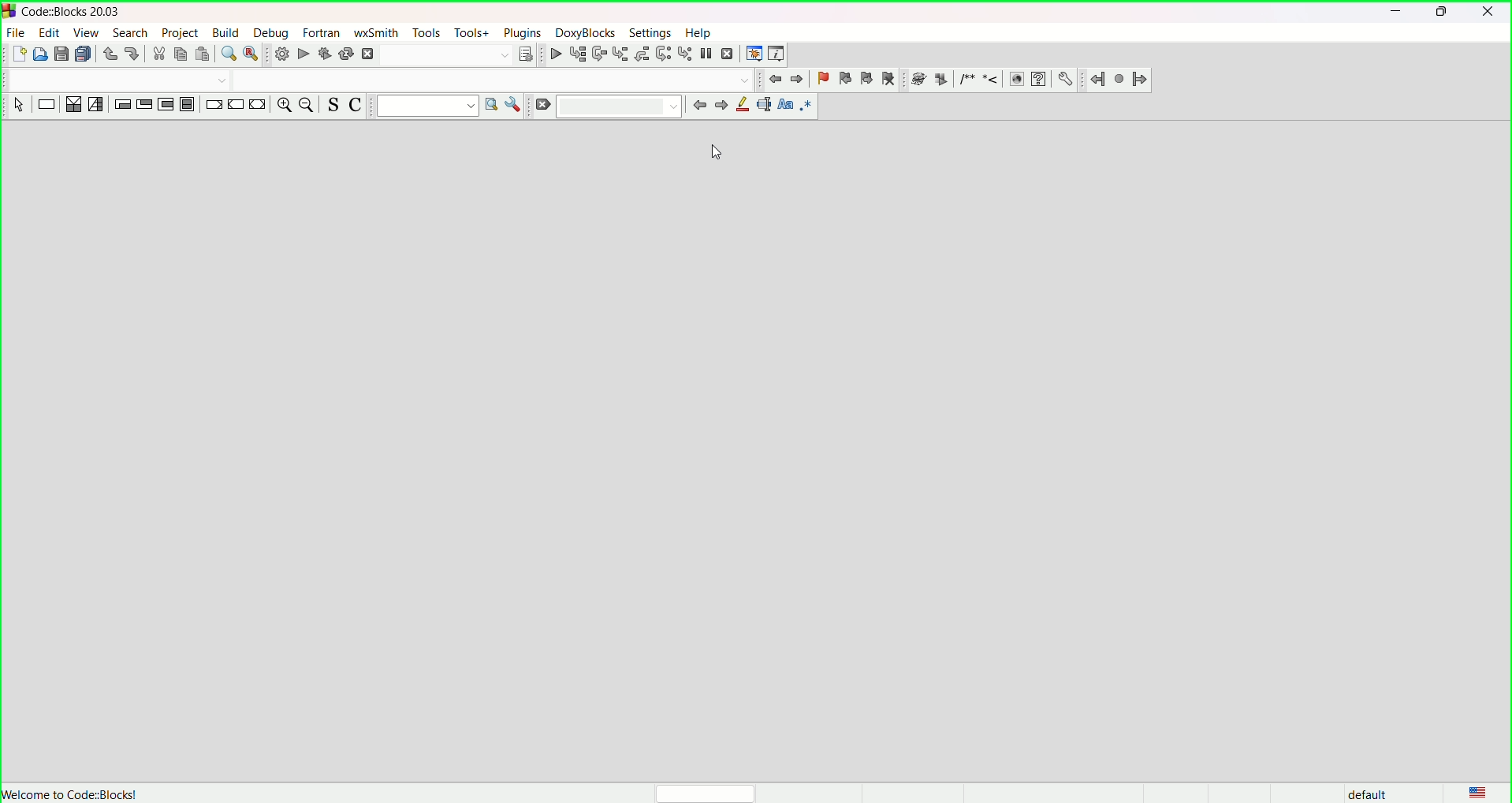 The width and height of the screenshot is (1512, 803). Describe the element at coordinates (866, 78) in the screenshot. I see `next bookmark` at that location.